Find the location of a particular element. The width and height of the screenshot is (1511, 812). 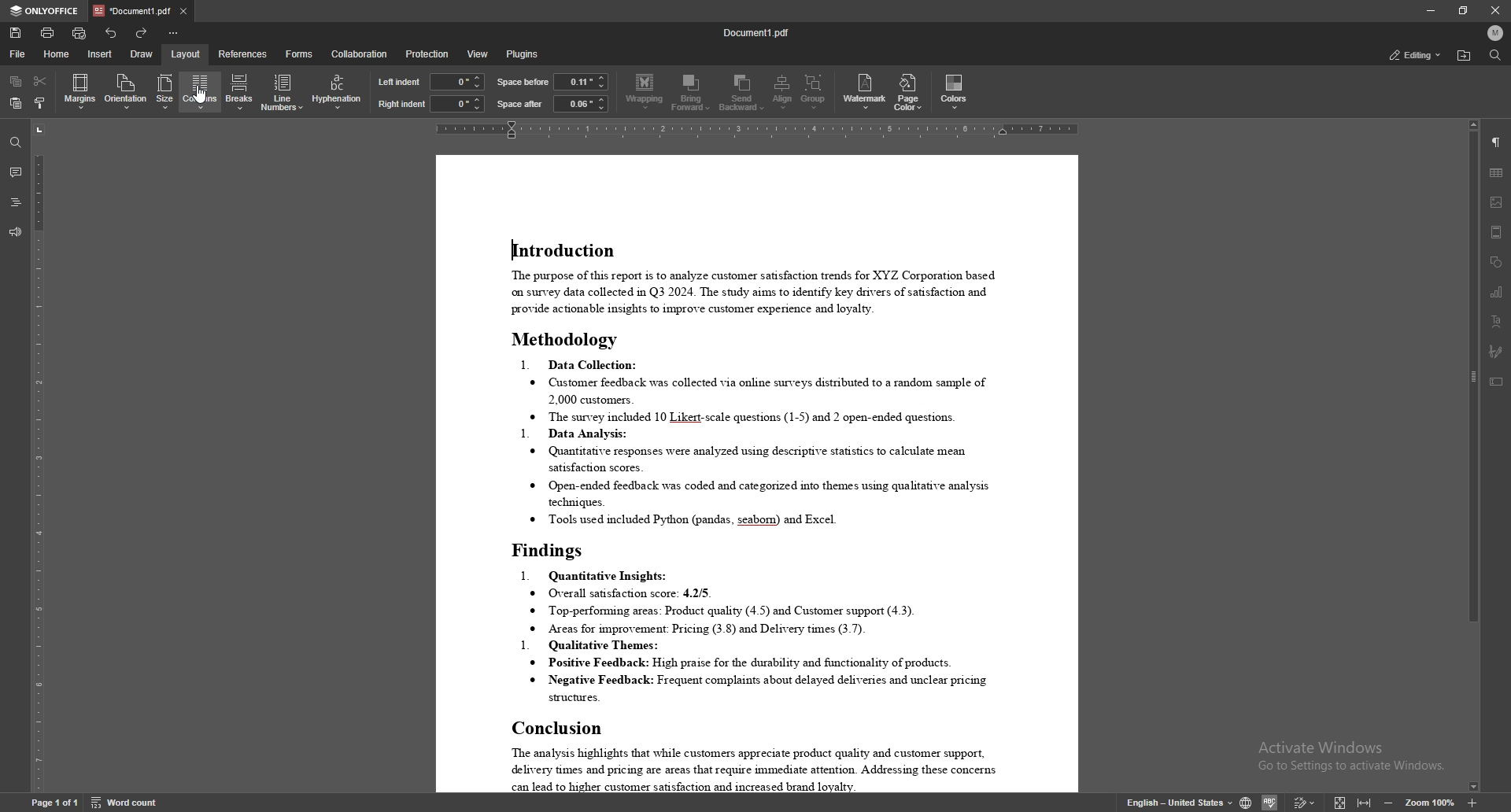

word count is located at coordinates (124, 802).